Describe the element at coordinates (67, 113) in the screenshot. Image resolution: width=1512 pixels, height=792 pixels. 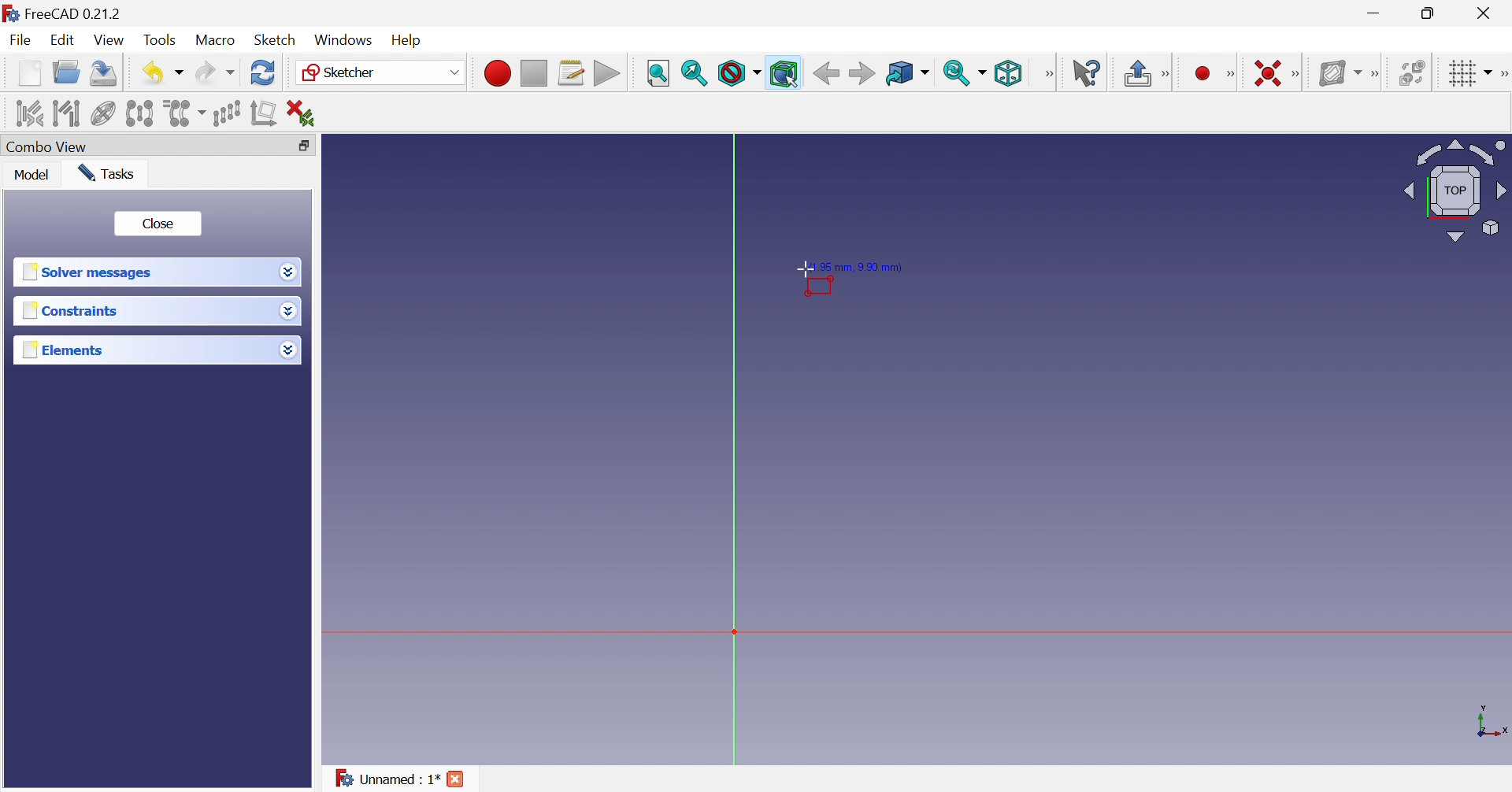
I see `Select associated geometry` at that location.